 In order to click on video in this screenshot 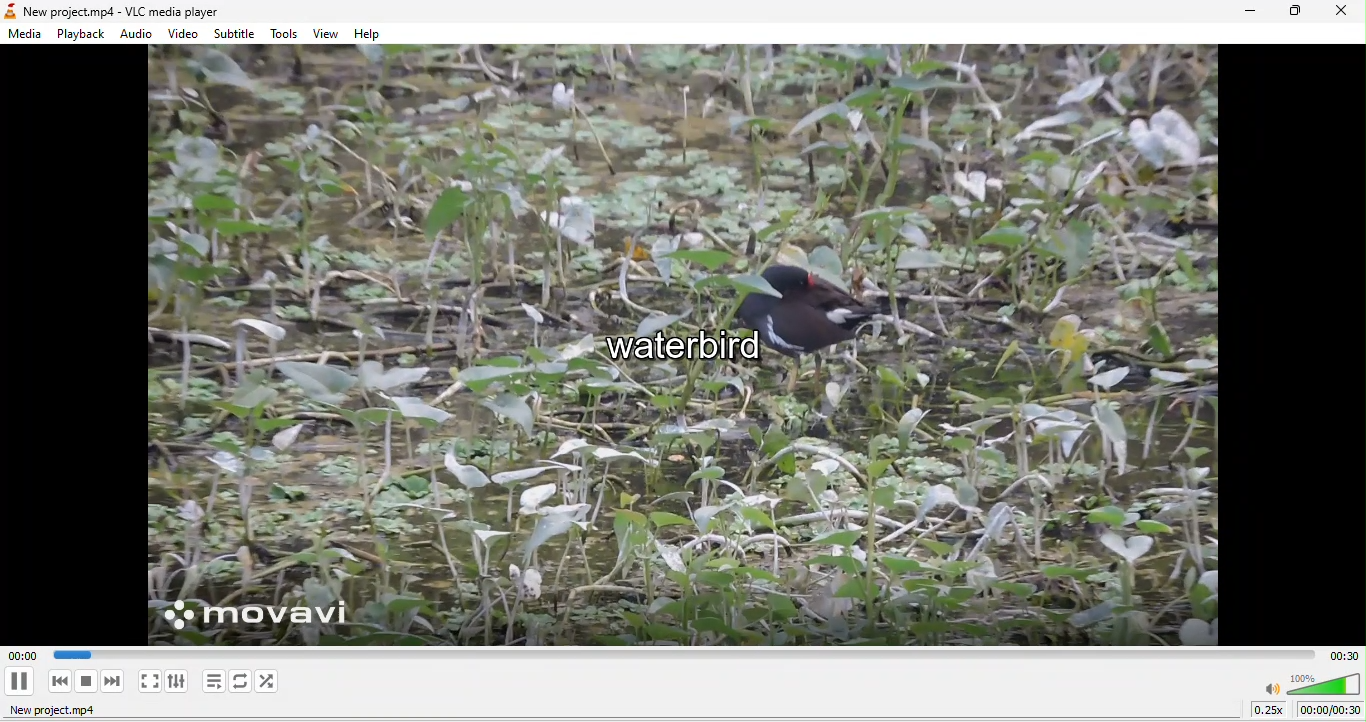, I will do `click(184, 34)`.